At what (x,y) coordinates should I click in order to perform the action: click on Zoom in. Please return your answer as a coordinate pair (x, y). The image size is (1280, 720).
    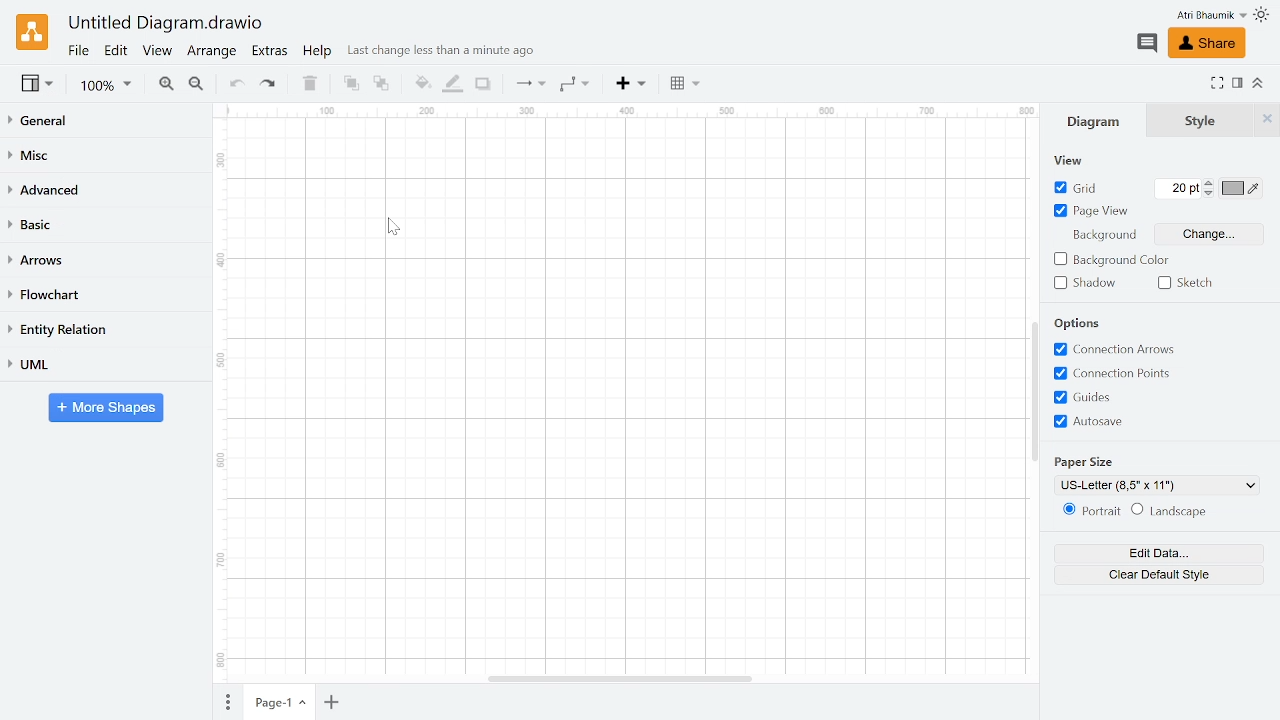
    Looking at the image, I should click on (165, 84).